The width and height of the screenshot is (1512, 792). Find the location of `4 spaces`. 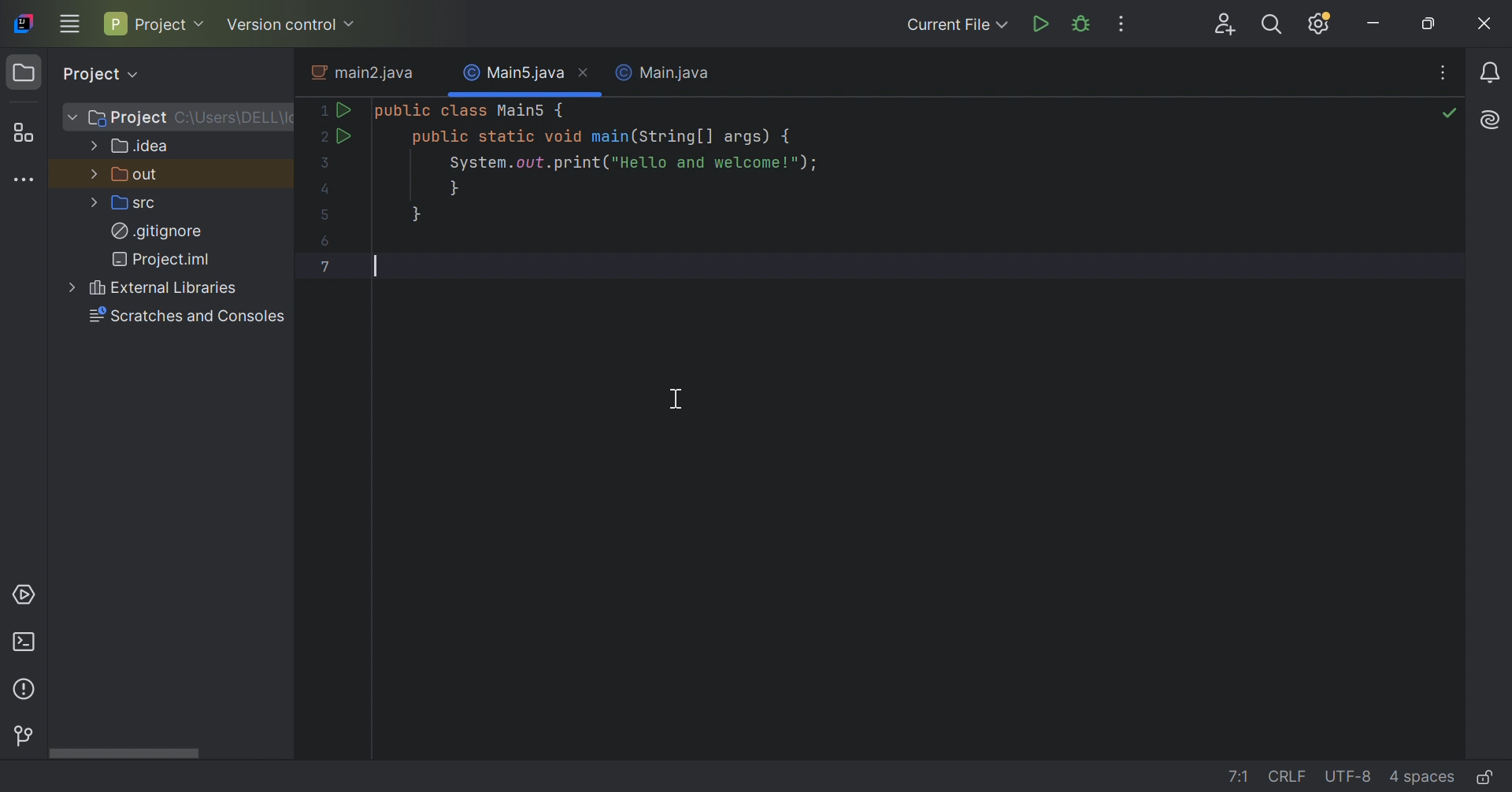

4 spaces is located at coordinates (1425, 776).